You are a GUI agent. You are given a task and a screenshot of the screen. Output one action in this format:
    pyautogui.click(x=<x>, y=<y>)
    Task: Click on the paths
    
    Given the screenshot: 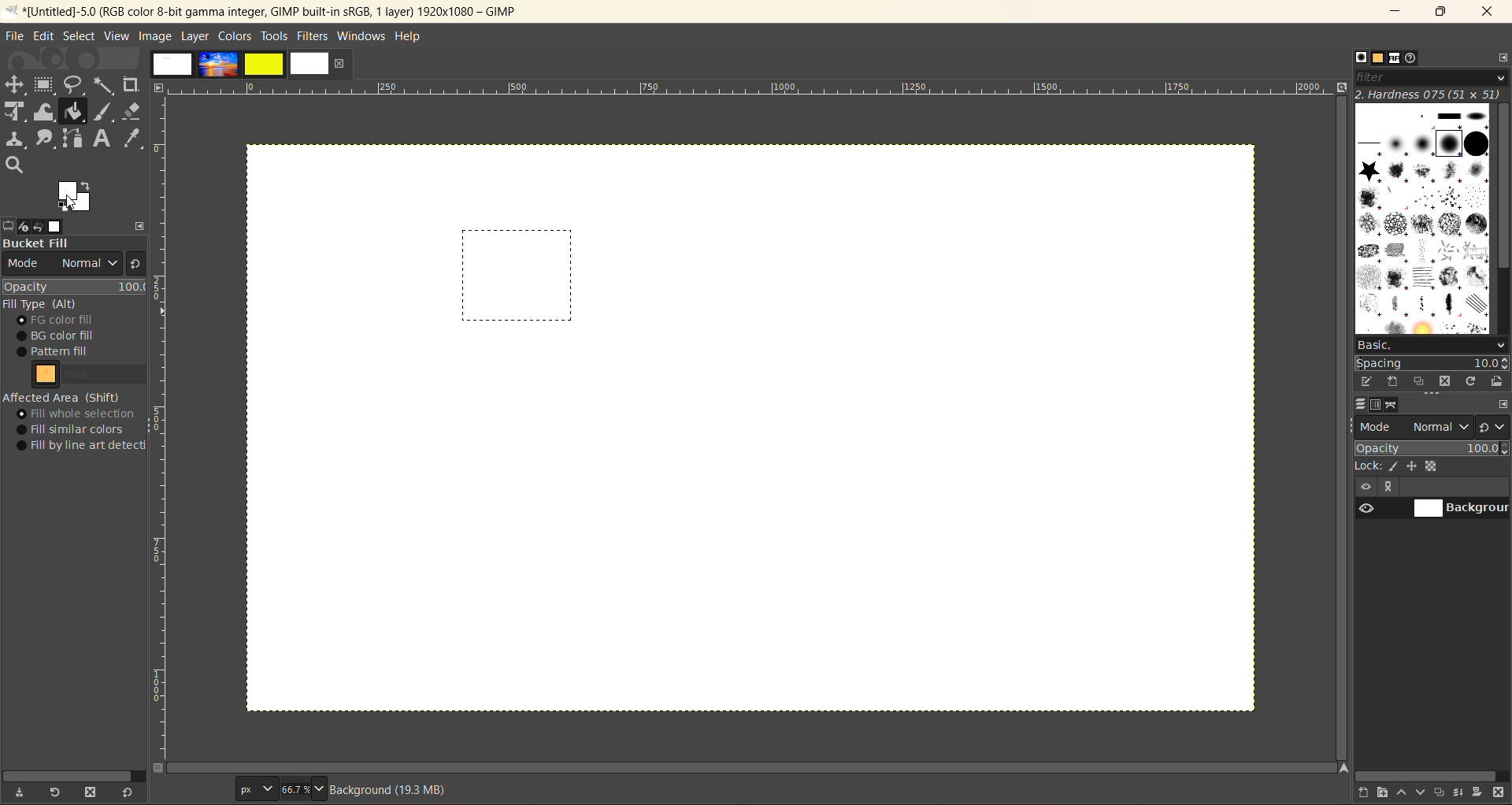 What is the action you would take?
    pyautogui.click(x=1394, y=406)
    